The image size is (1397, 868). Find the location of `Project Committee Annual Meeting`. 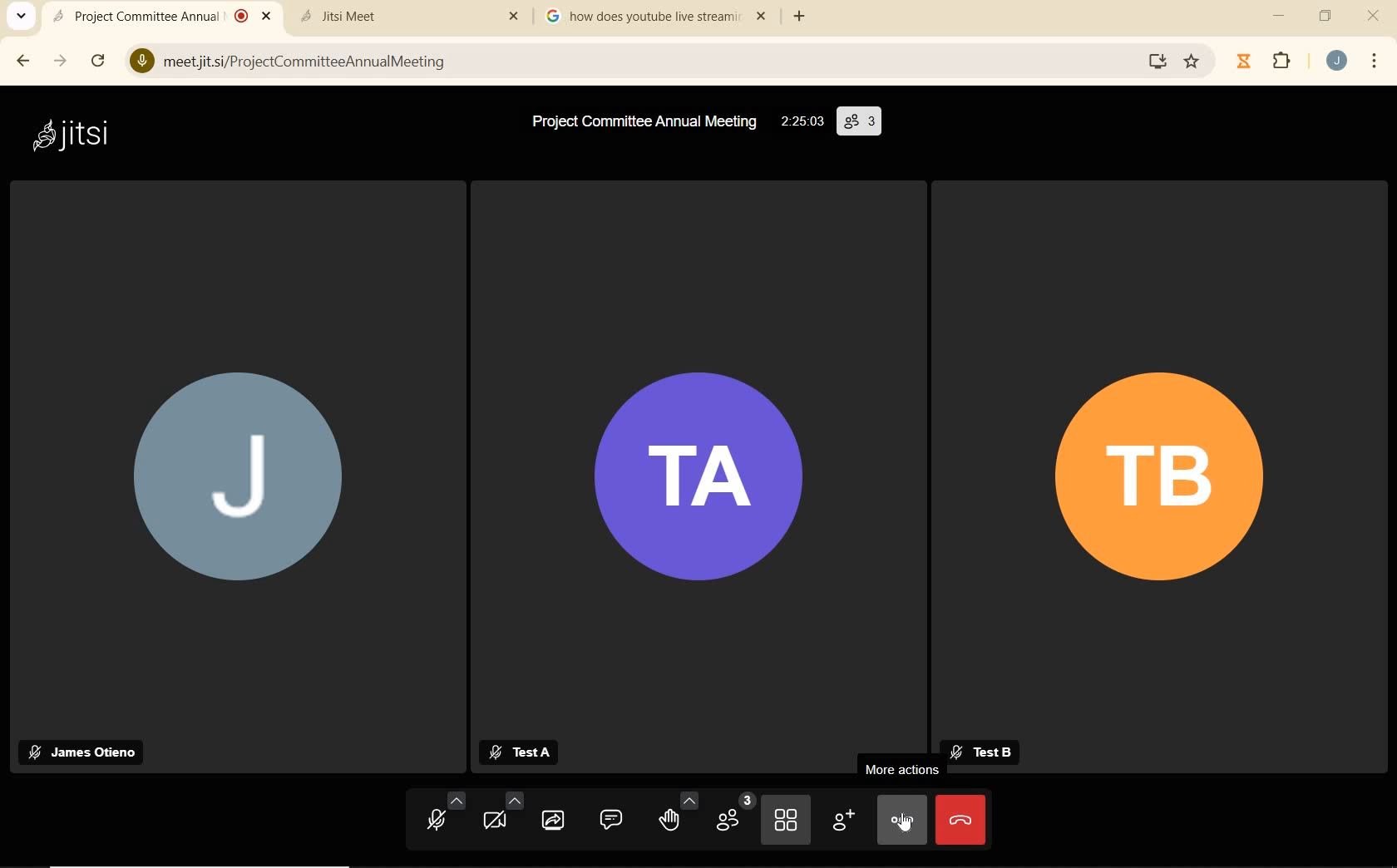

Project Committee Annual Meeting is located at coordinates (641, 123).